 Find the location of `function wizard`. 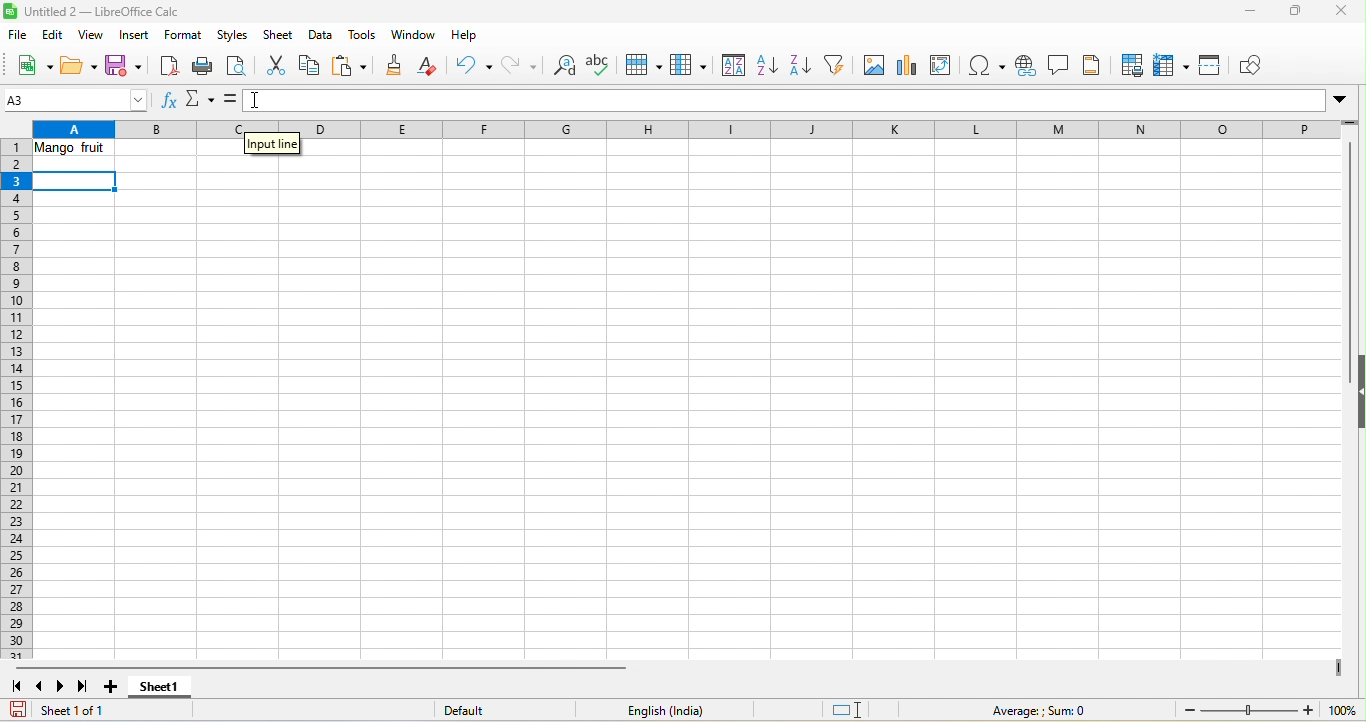

function wizard is located at coordinates (172, 104).